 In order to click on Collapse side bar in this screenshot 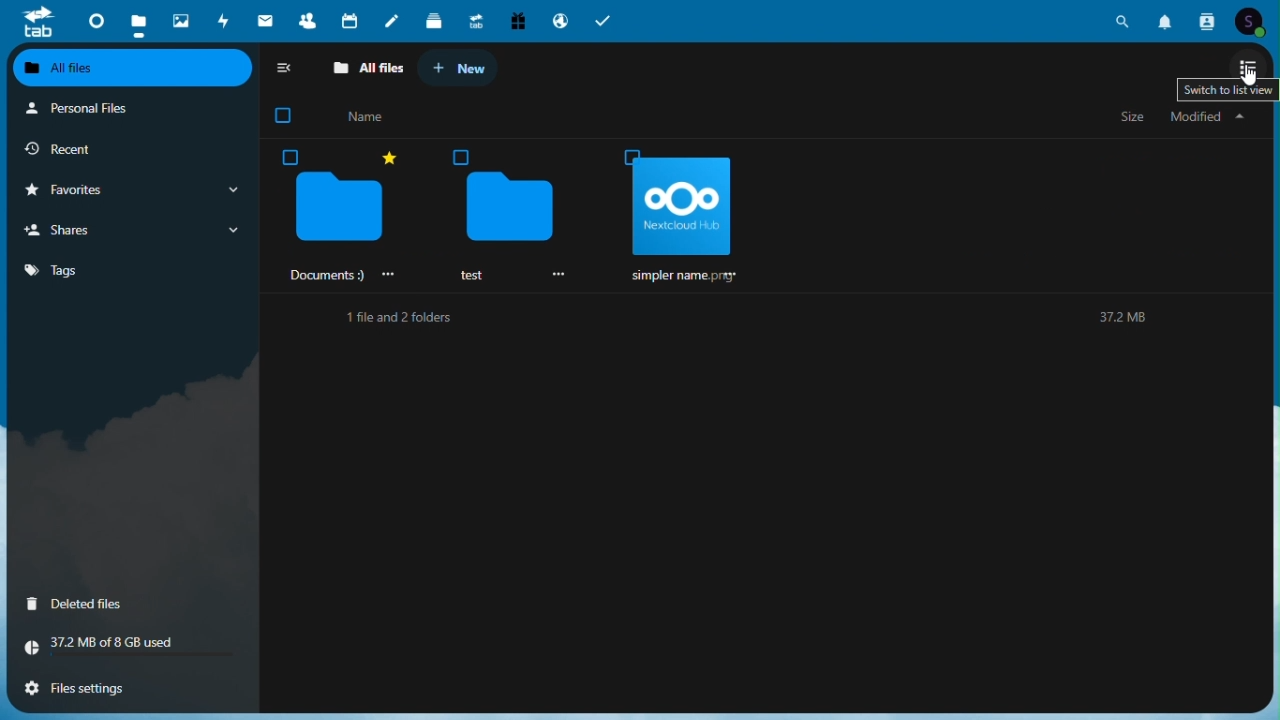, I will do `click(291, 64)`.